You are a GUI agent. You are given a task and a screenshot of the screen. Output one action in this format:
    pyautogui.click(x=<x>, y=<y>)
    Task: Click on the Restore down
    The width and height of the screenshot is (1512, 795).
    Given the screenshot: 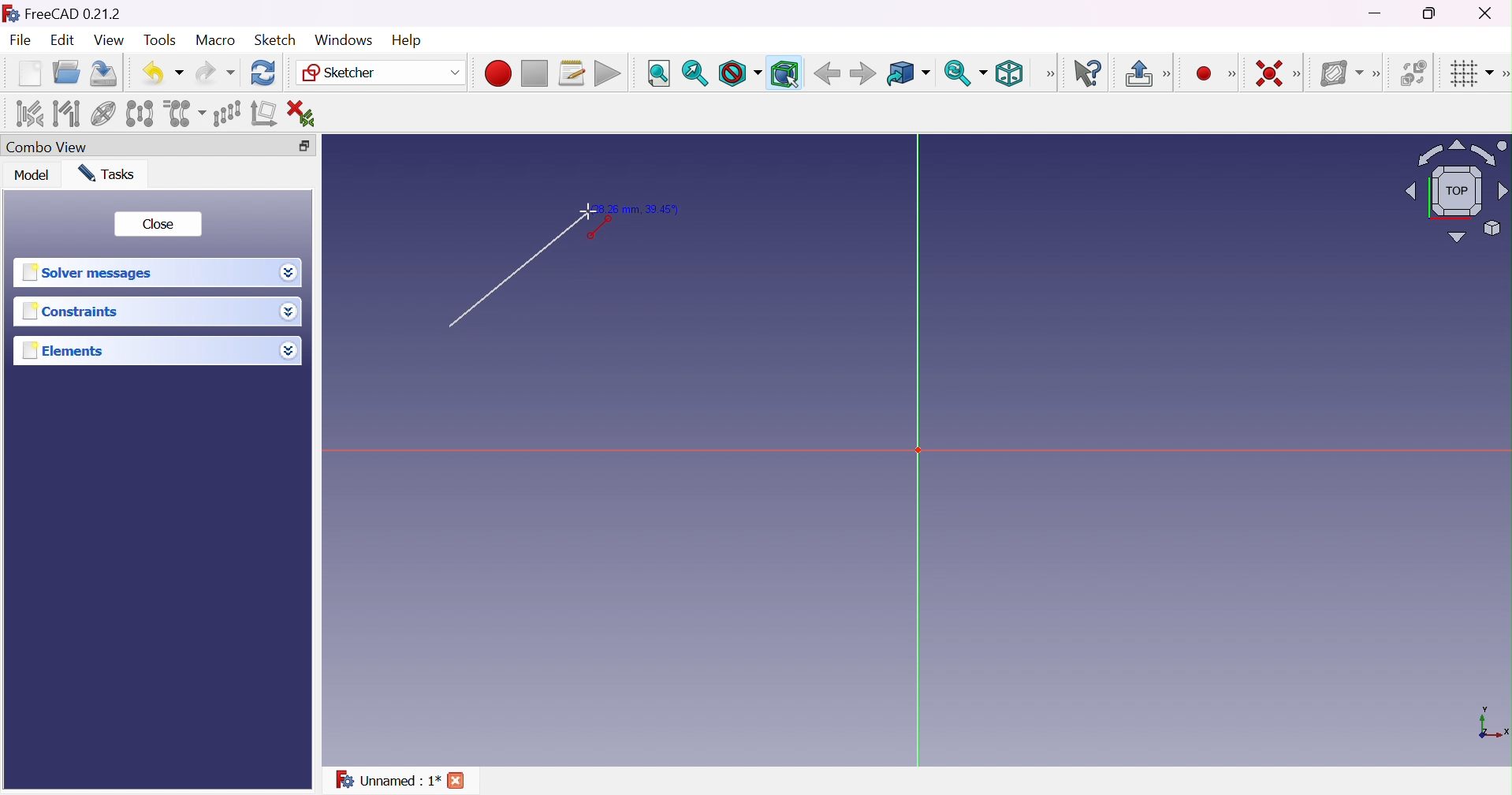 What is the action you would take?
    pyautogui.click(x=306, y=144)
    